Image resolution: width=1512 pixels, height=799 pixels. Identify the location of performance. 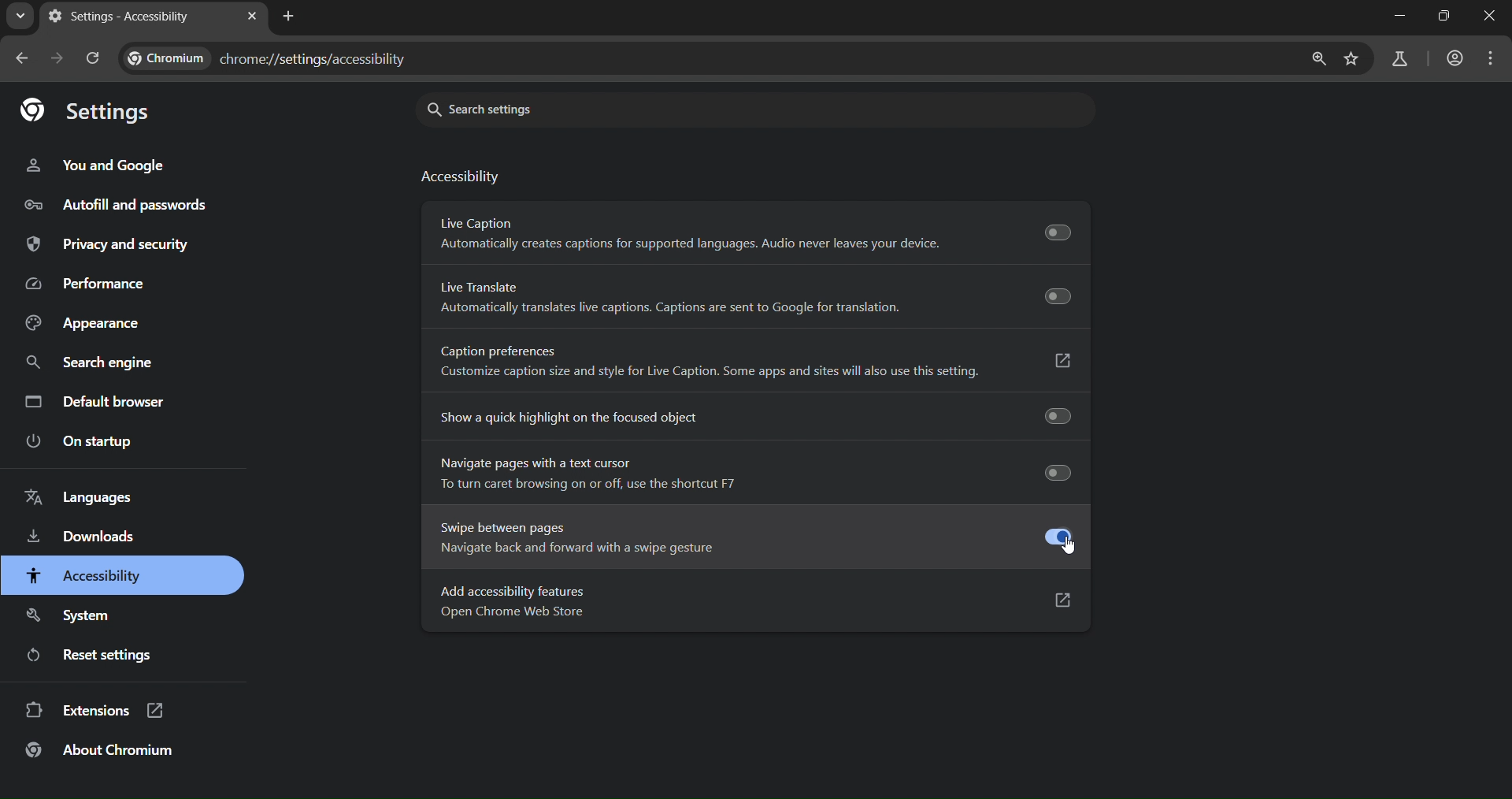
(87, 283).